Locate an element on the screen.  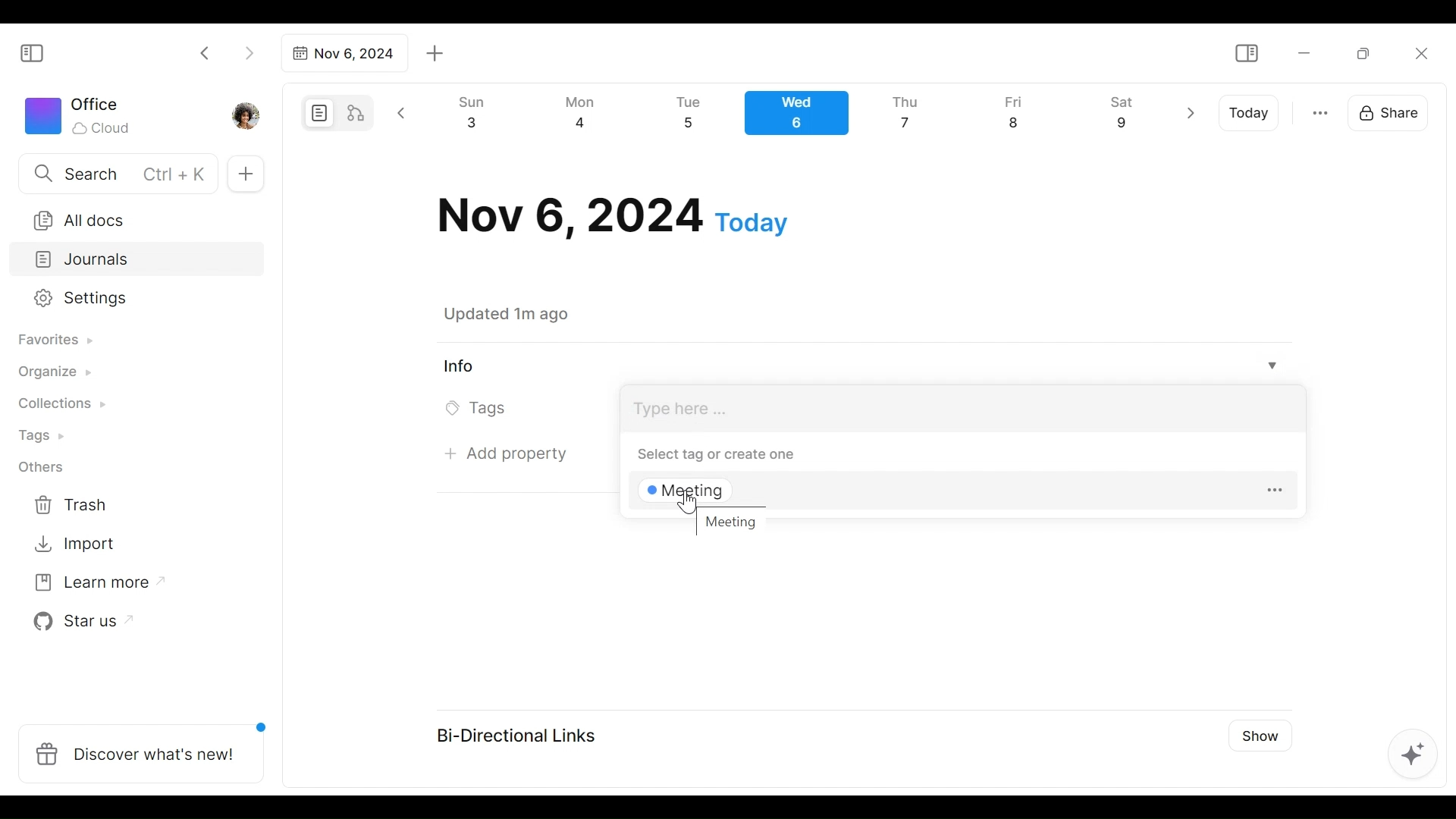
Click to go back is located at coordinates (206, 52).